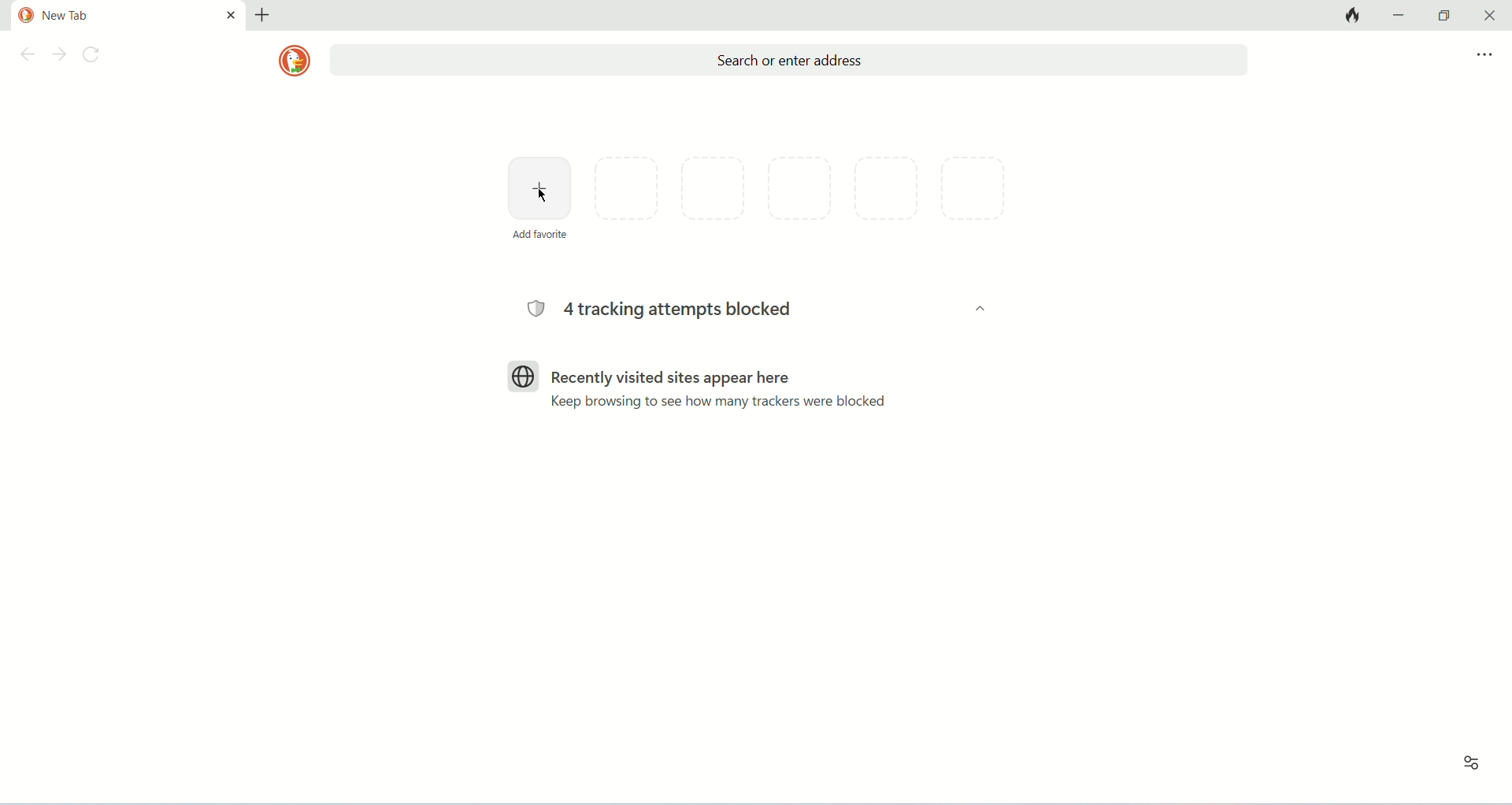 Image resolution: width=1512 pixels, height=805 pixels. I want to click on close, so click(1486, 16).